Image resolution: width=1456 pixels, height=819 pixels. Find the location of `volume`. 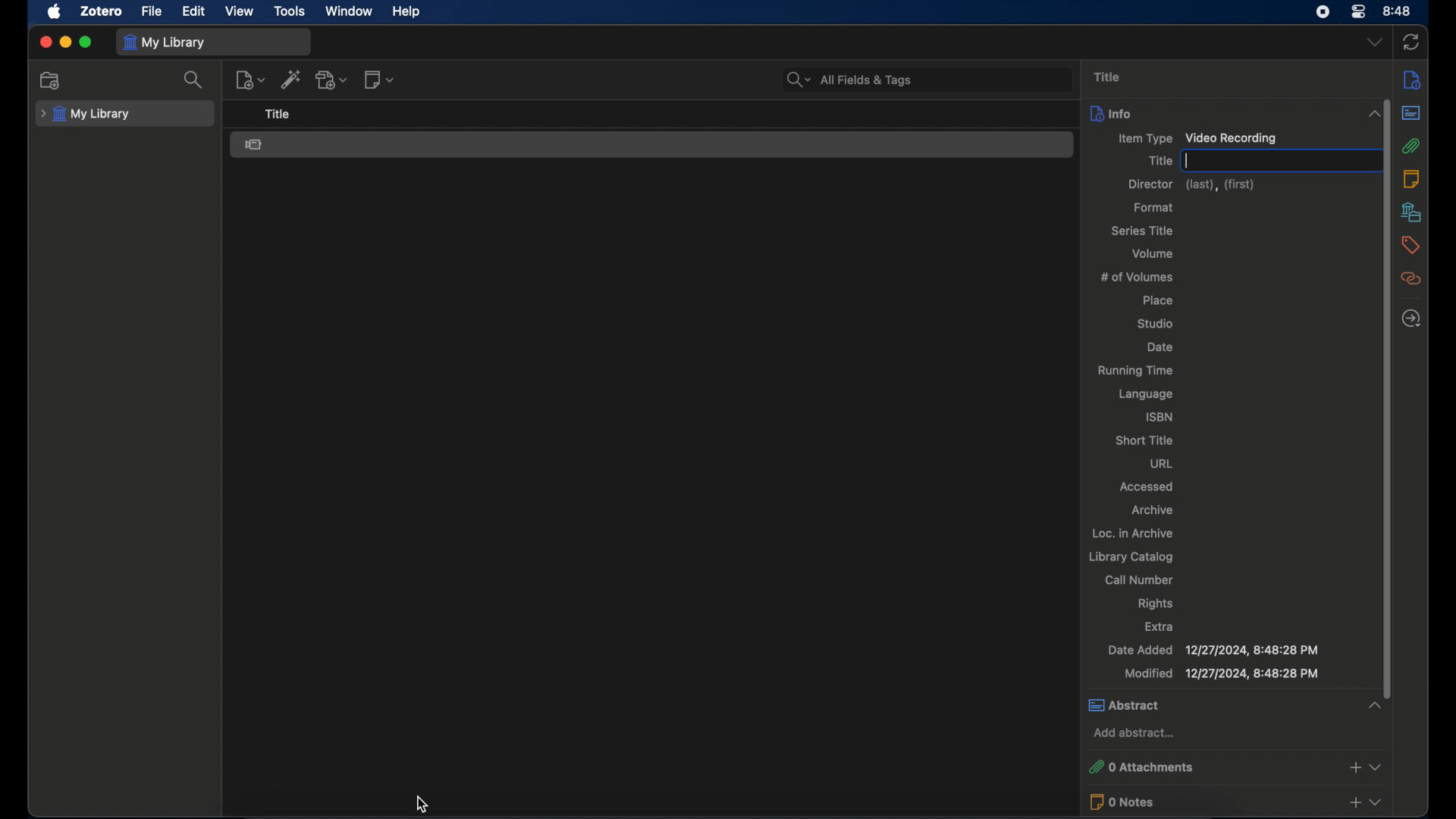

volume is located at coordinates (1153, 253).